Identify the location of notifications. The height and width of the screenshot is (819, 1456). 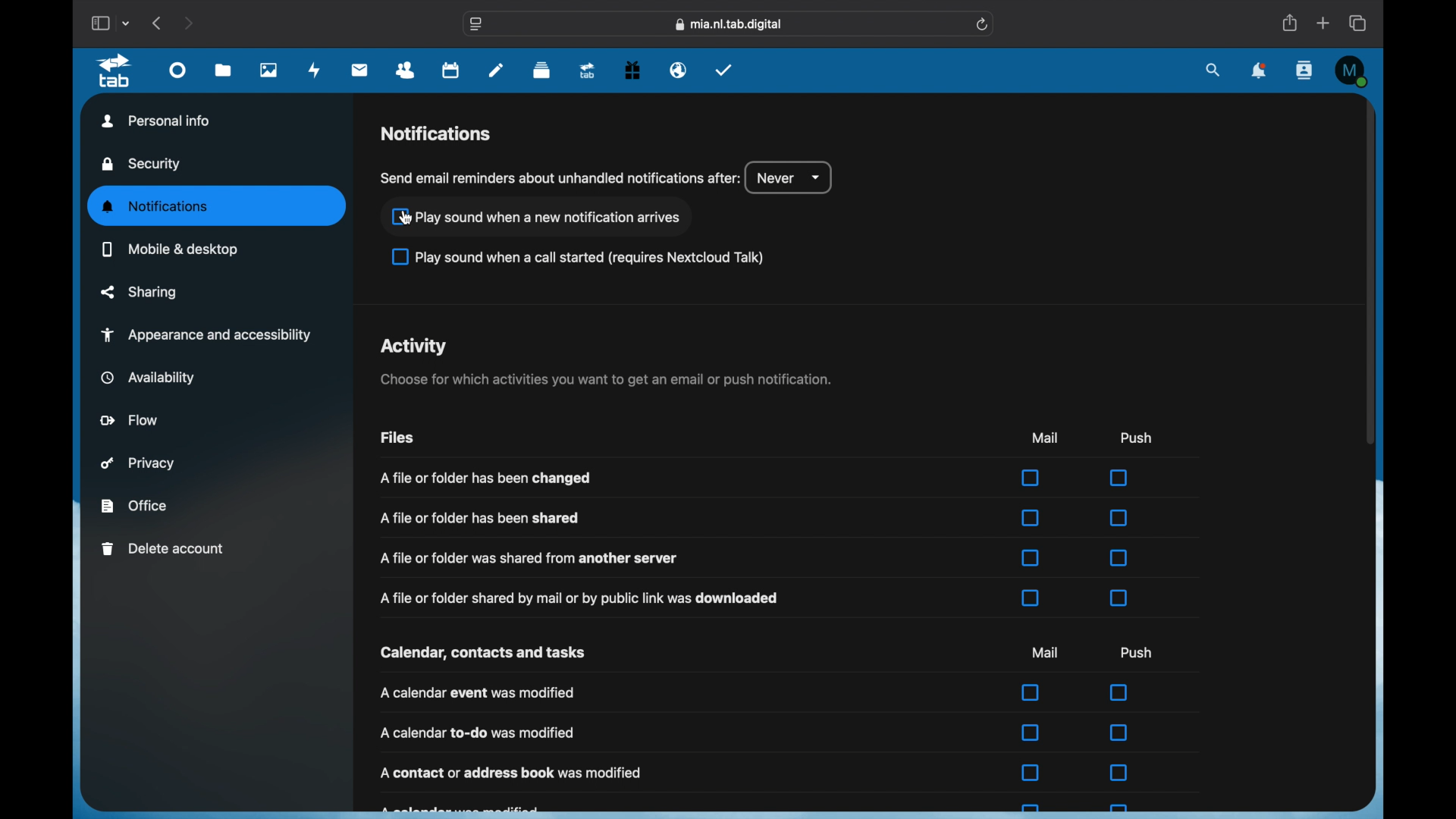
(1260, 72).